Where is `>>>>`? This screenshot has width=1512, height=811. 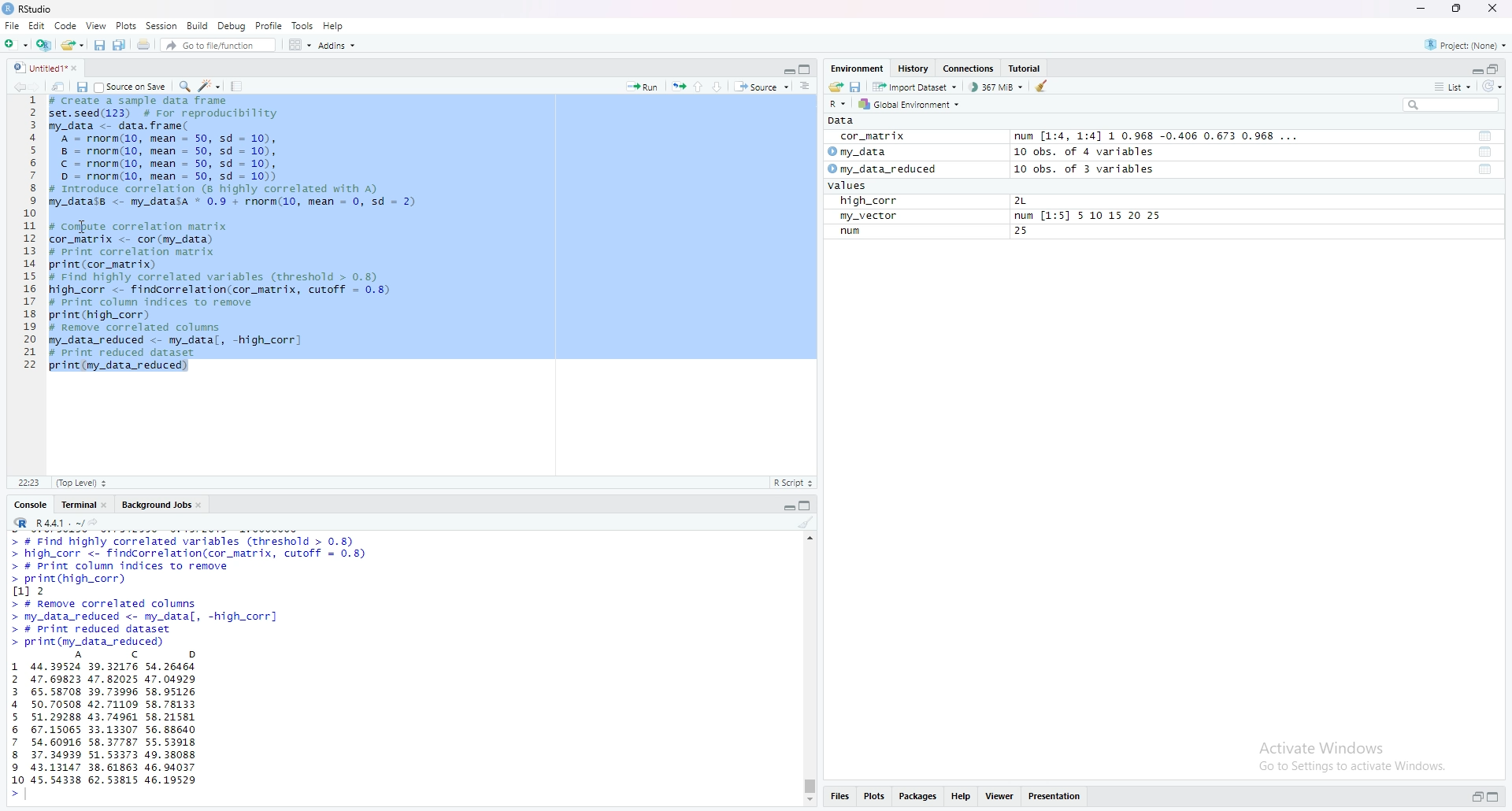 >>>> is located at coordinates (11, 557).